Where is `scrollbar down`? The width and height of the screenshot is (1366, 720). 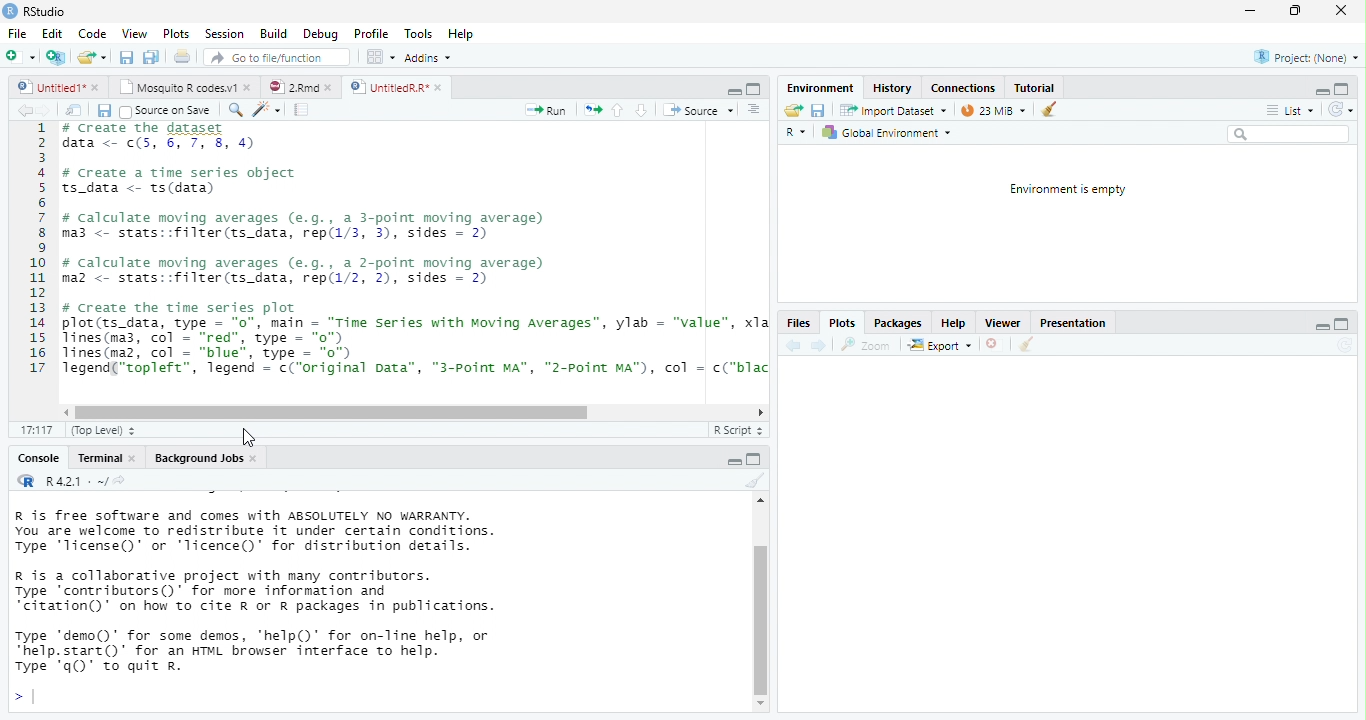 scrollbar down is located at coordinates (761, 704).